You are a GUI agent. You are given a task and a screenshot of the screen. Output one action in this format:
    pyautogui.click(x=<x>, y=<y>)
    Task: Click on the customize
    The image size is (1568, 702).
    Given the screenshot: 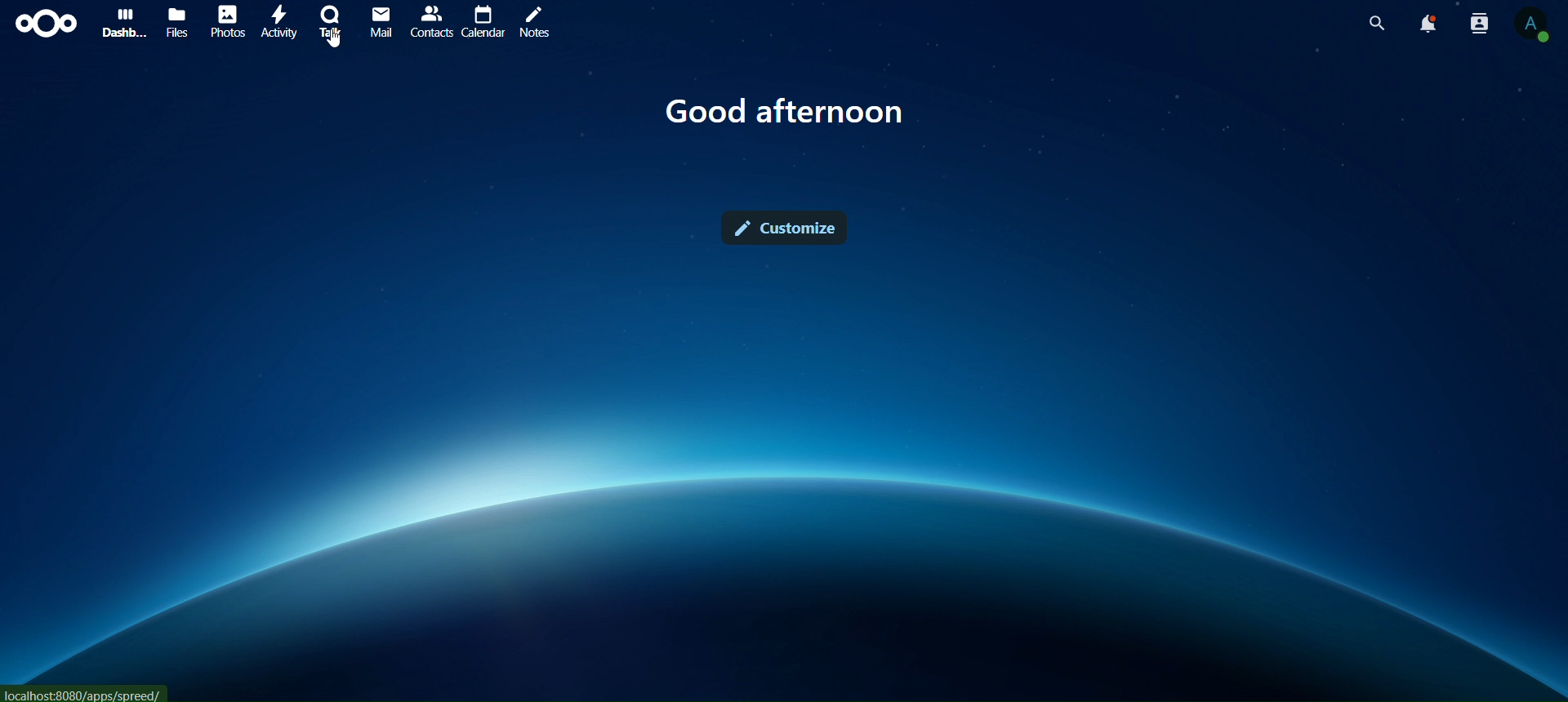 What is the action you would take?
    pyautogui.click(x=783, y=229)
    